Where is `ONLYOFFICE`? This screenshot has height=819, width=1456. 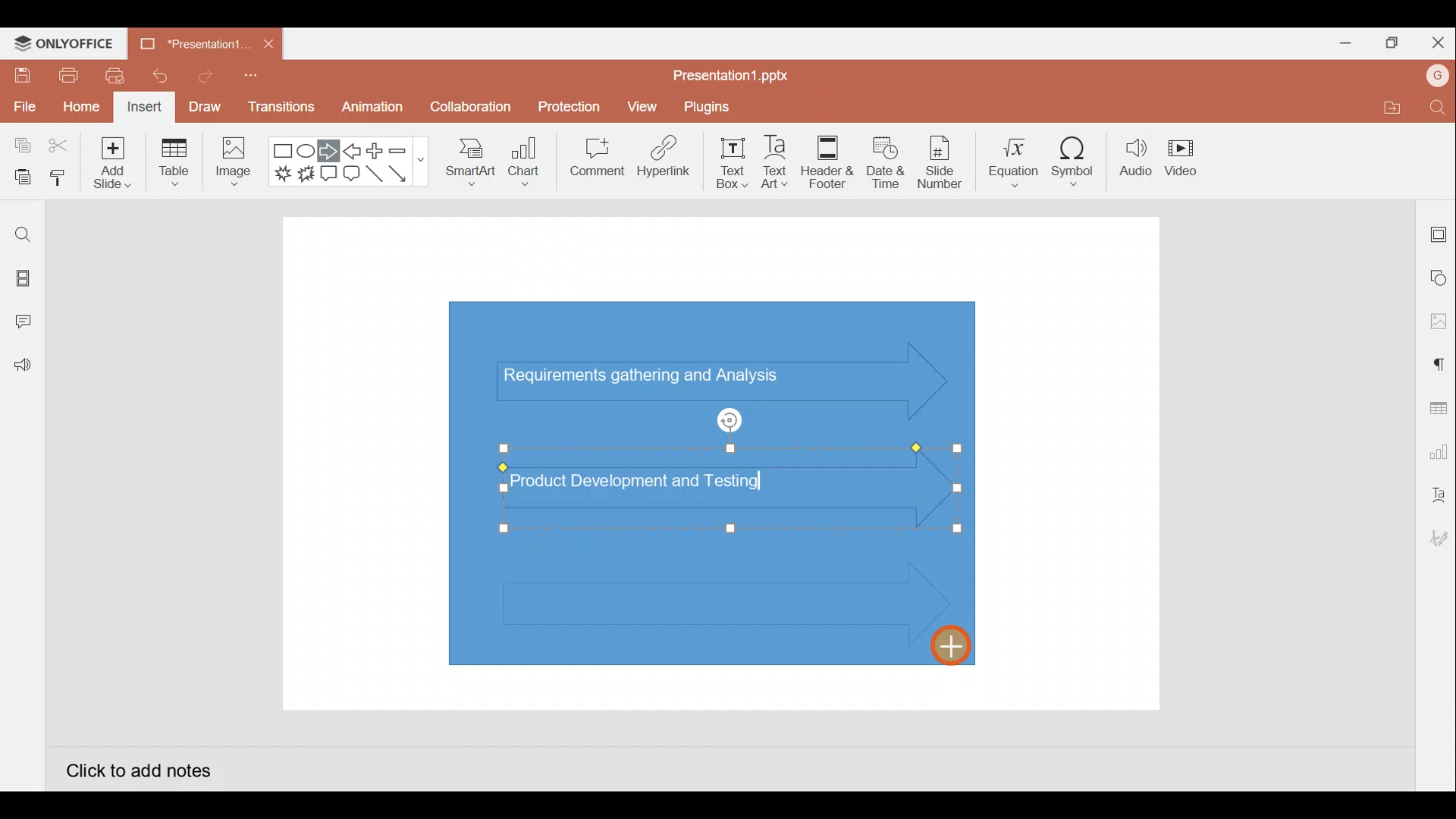
ONLYOFFICE is located at coordinates (64, 43).